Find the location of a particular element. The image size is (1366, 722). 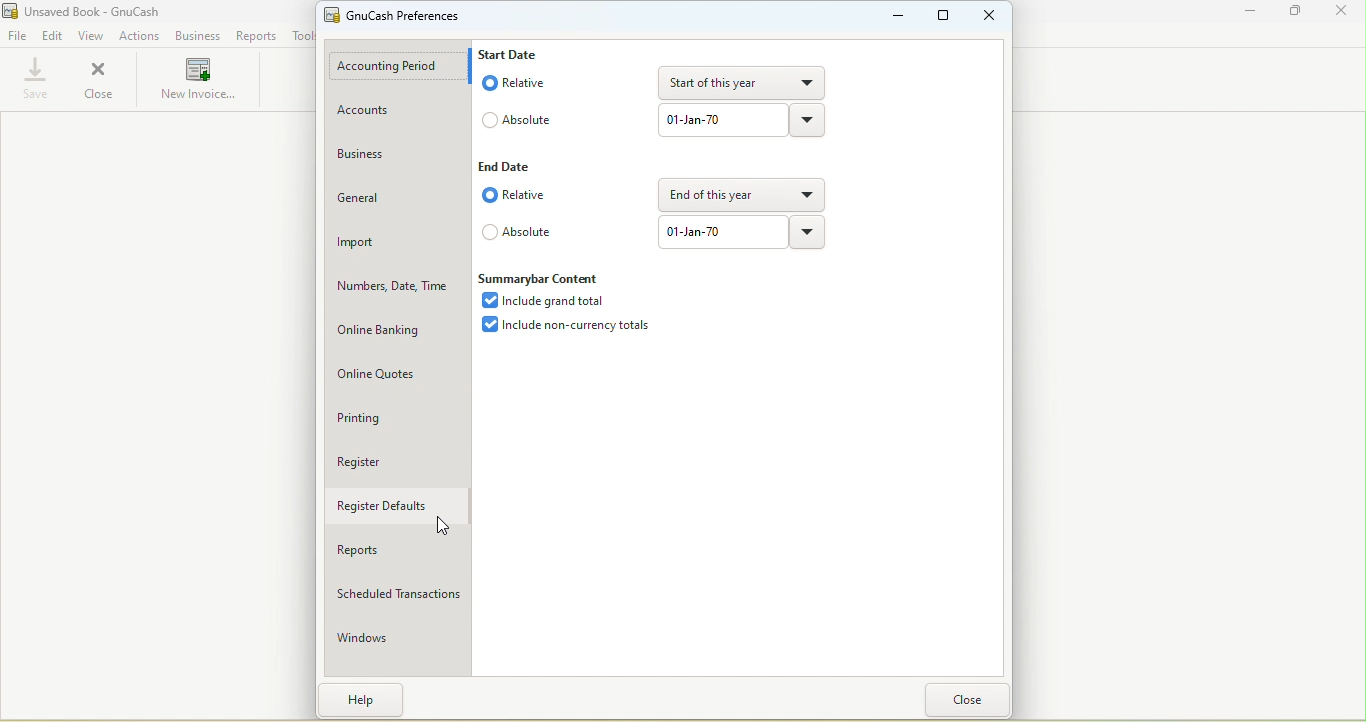

Minimize is located at coordinates (1250, 14).